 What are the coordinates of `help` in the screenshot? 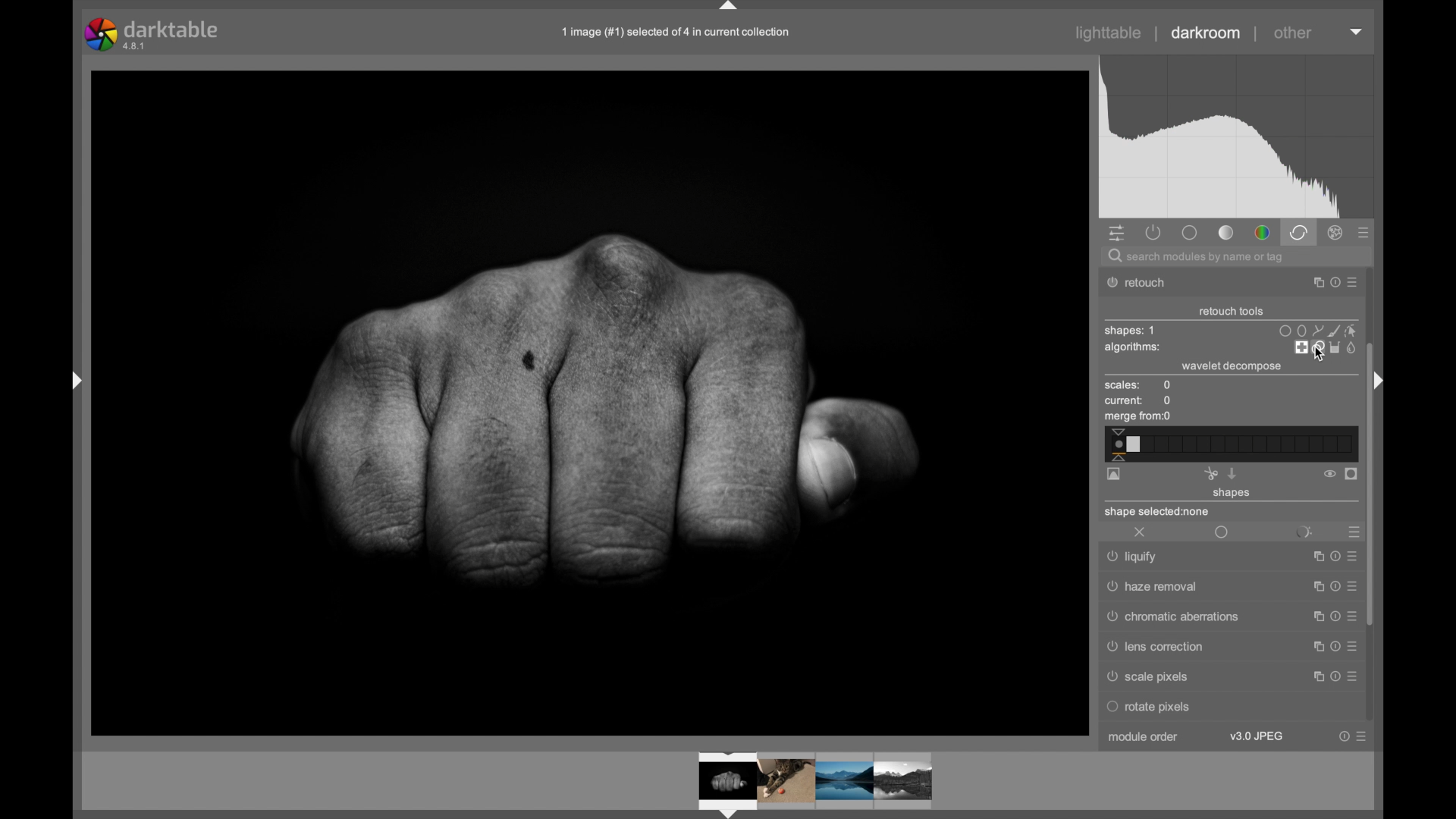 It's located at (1333, 647).